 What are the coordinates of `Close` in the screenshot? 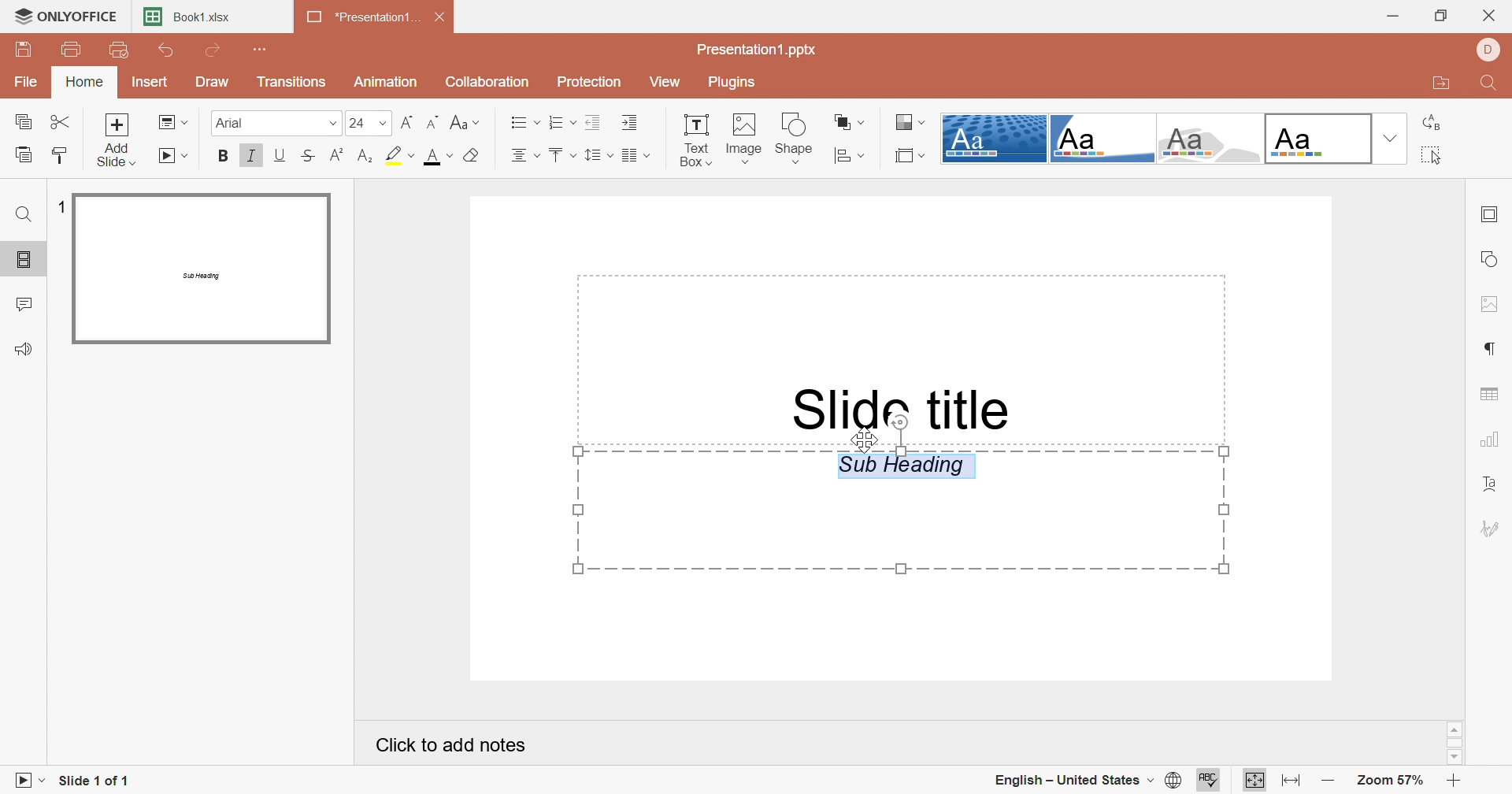 It's located at (1489, 15).